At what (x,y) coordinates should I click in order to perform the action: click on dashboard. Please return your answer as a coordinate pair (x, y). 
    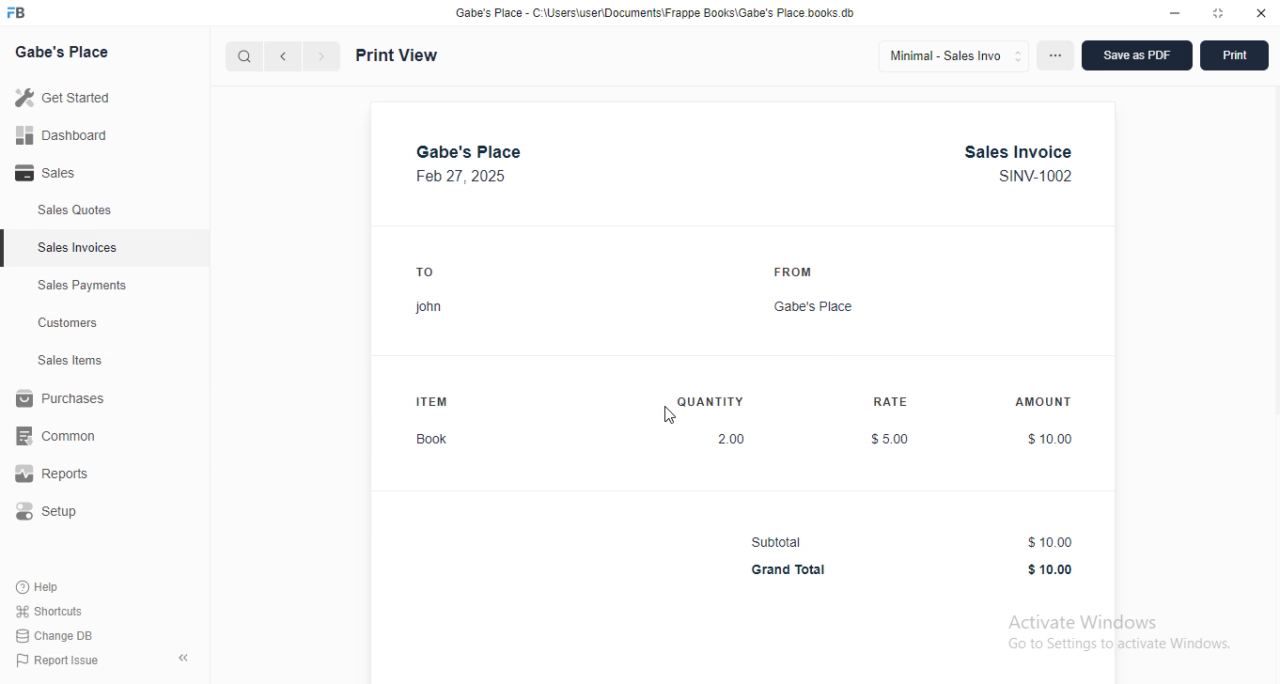
    Looking at the image, I should click on (62, 135).